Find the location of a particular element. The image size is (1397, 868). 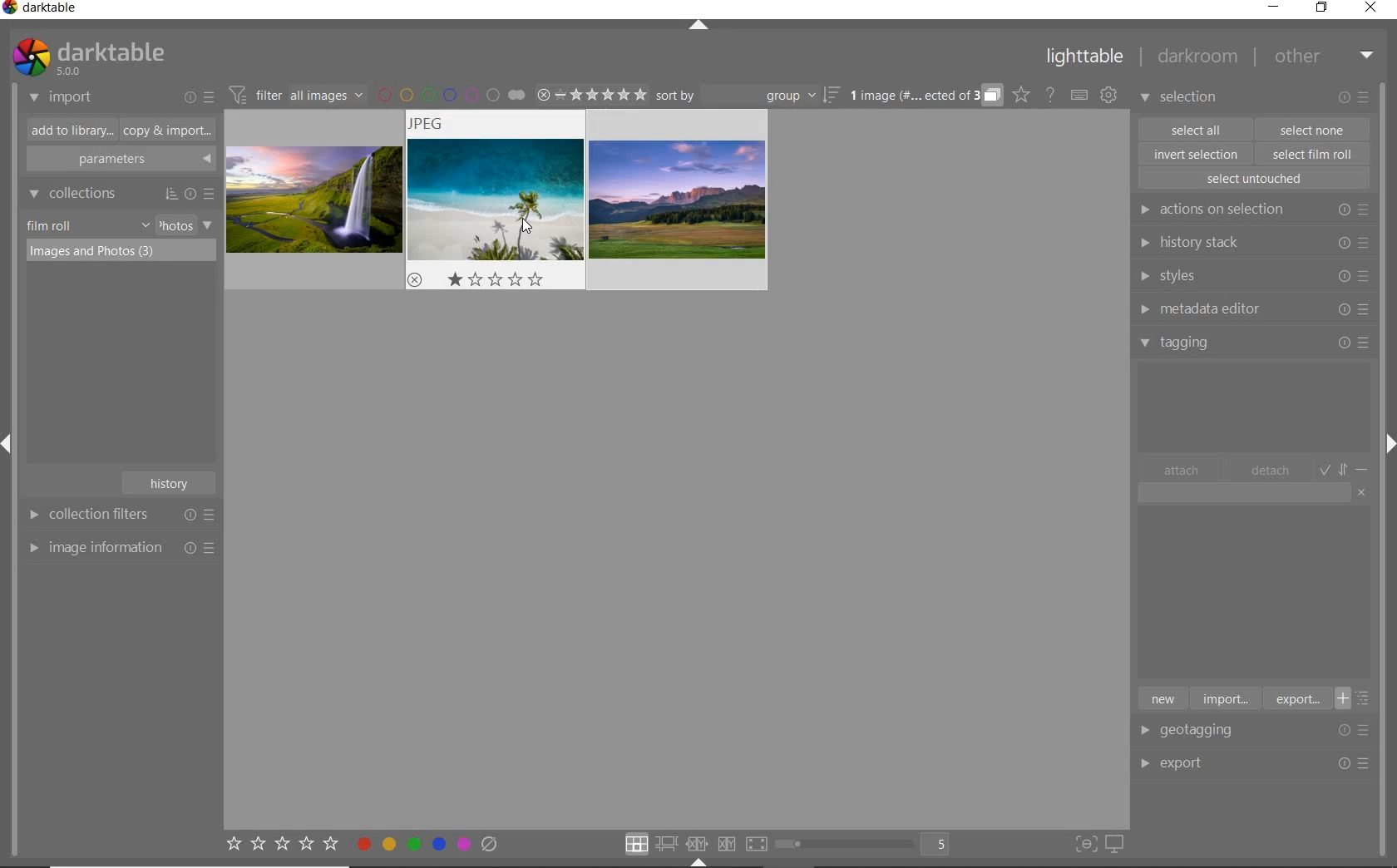

Expand/Collapse is located at coordinates (698, 862).